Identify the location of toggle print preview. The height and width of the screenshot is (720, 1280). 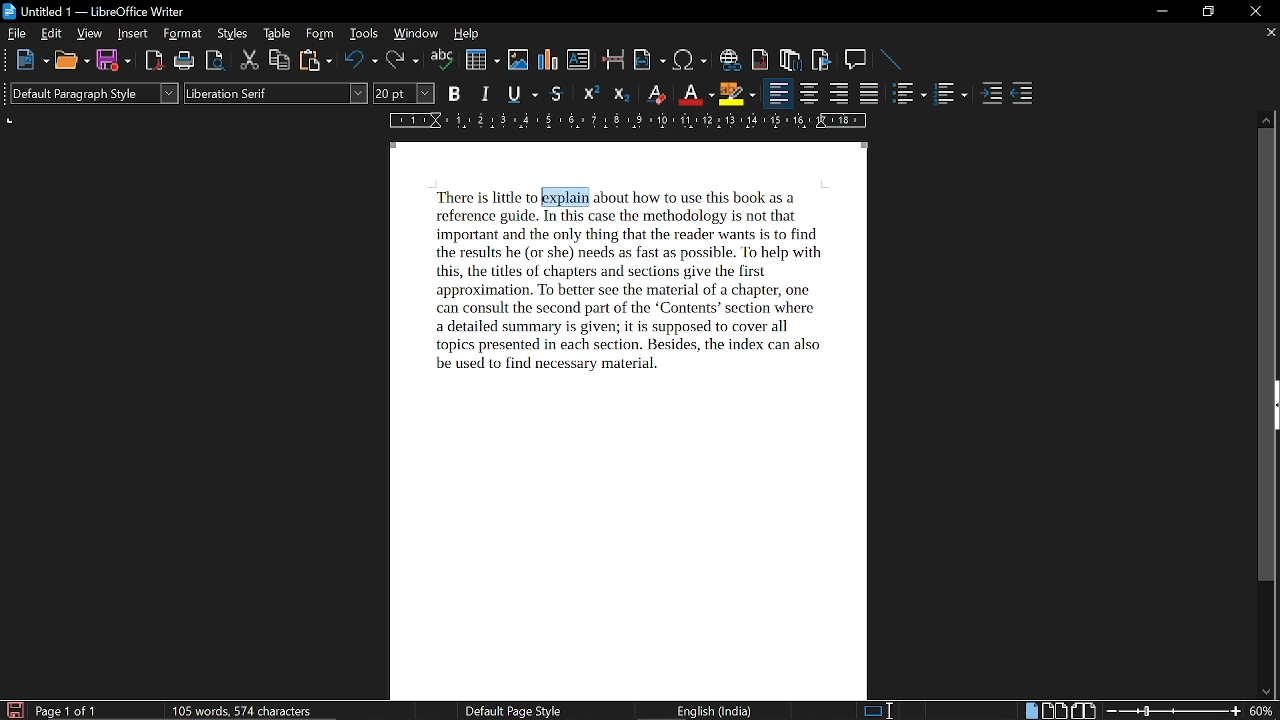
(216, 62).